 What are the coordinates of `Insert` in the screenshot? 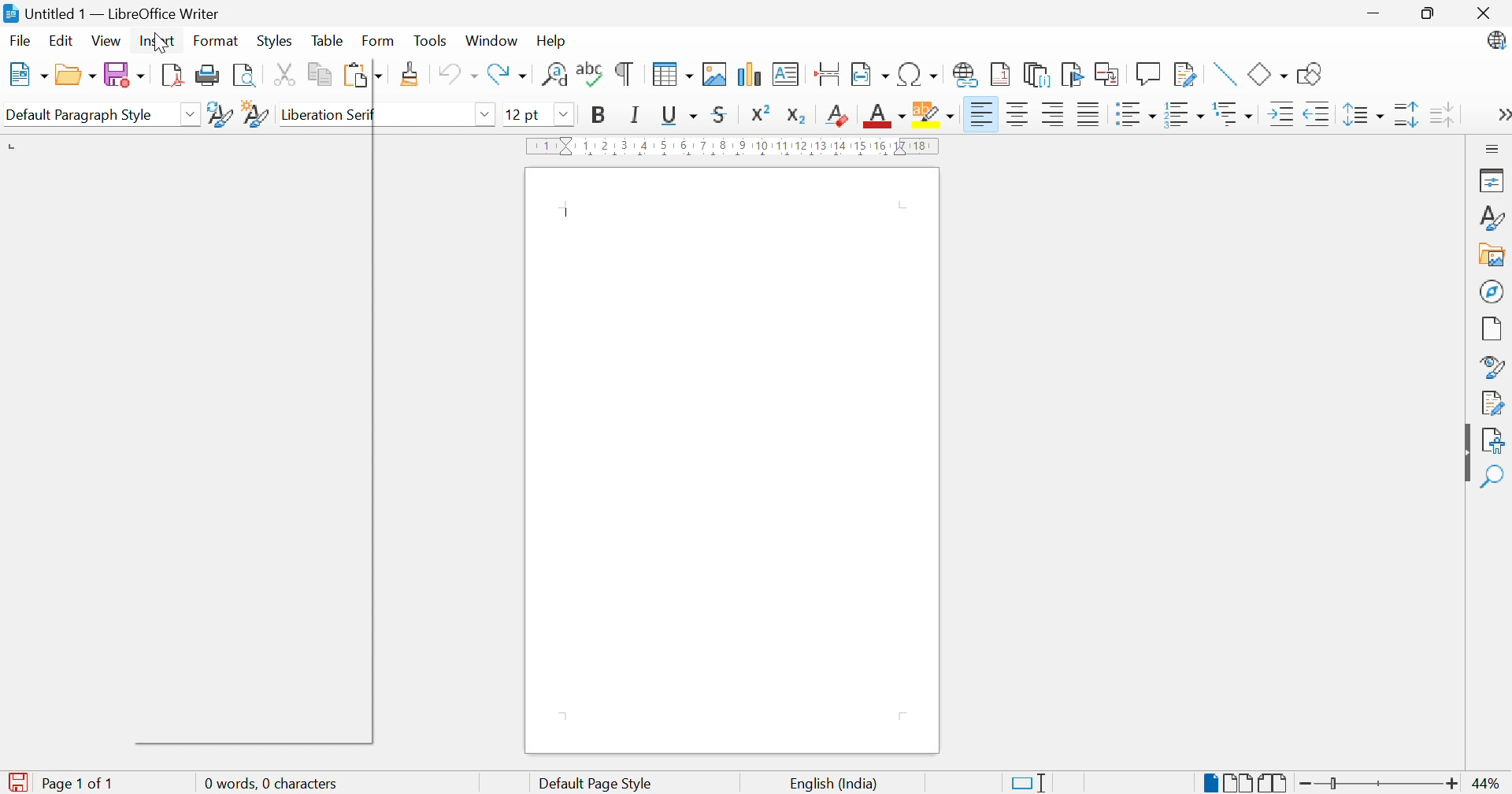 It's located at (156, 42).